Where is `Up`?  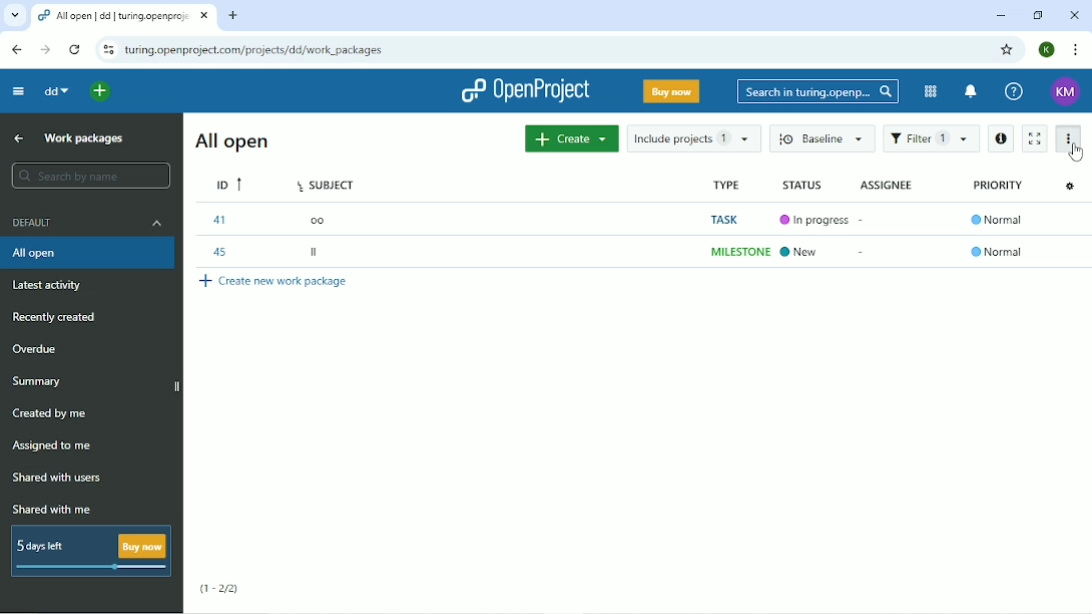 Up is located at coordinates (20, 139).